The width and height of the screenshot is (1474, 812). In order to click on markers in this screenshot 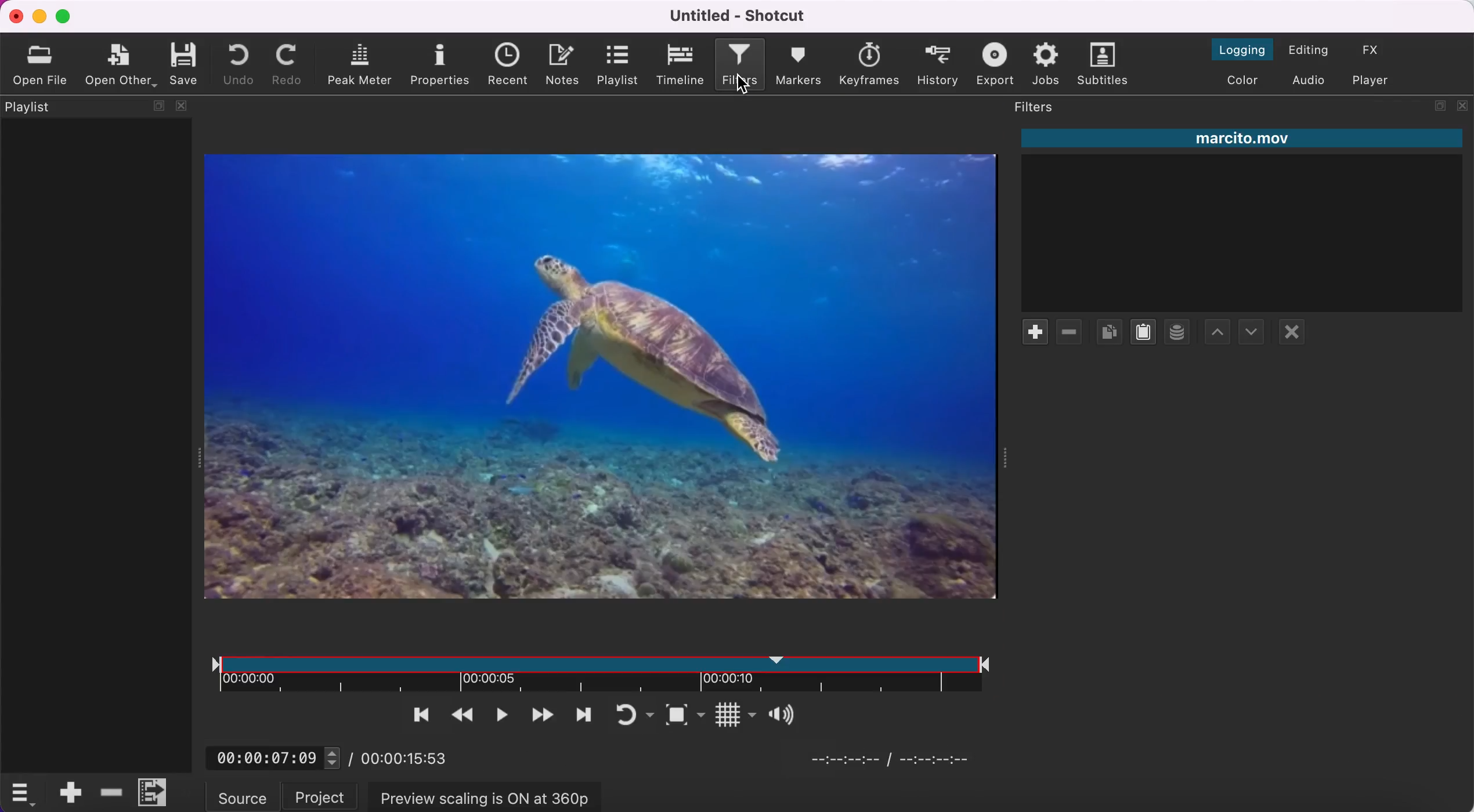, I will do `click(800, 66)`.